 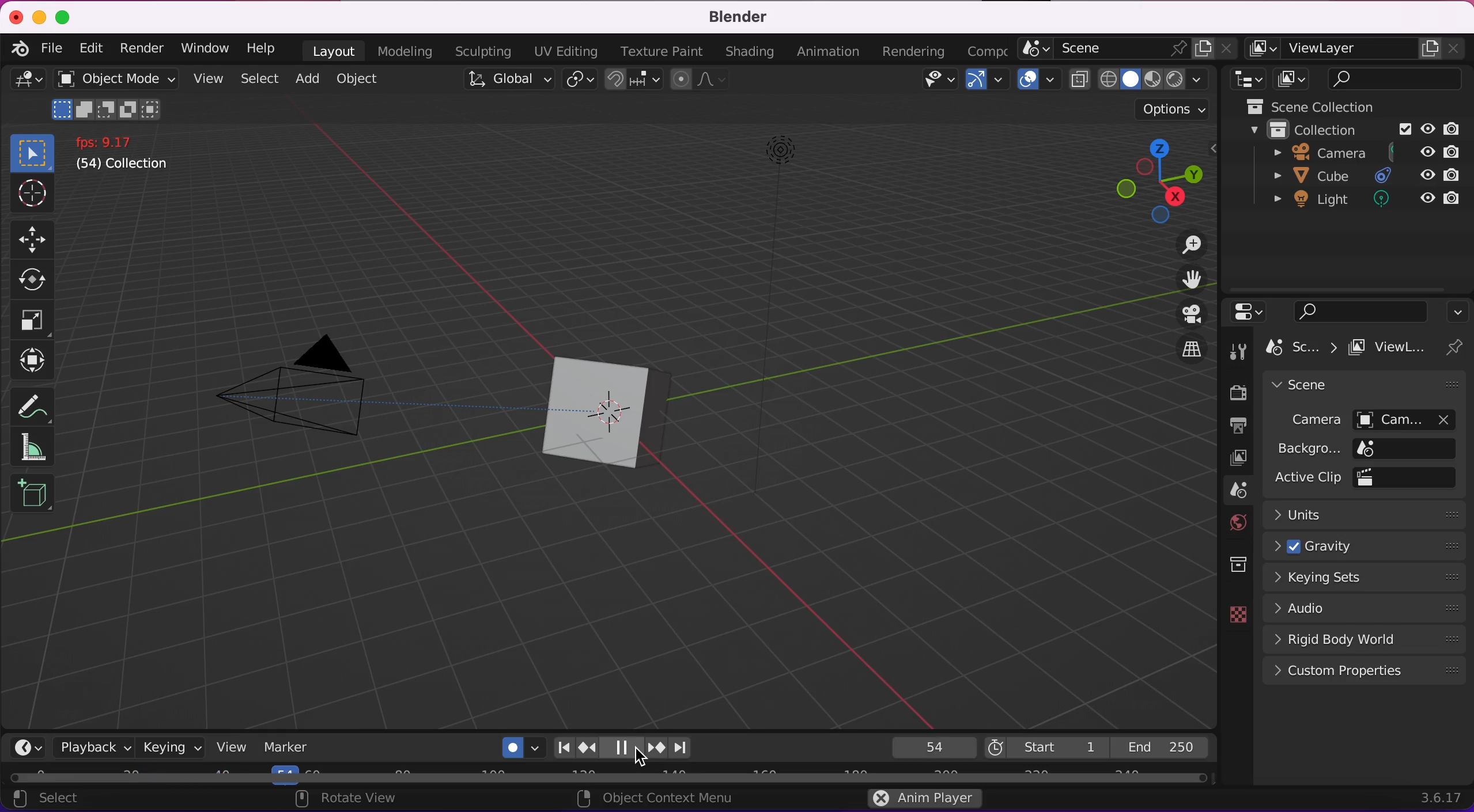 What do you see at coordinates (1362, 672) in the screenshot?
I see `custom properties` at bounding box center [1362, 672].